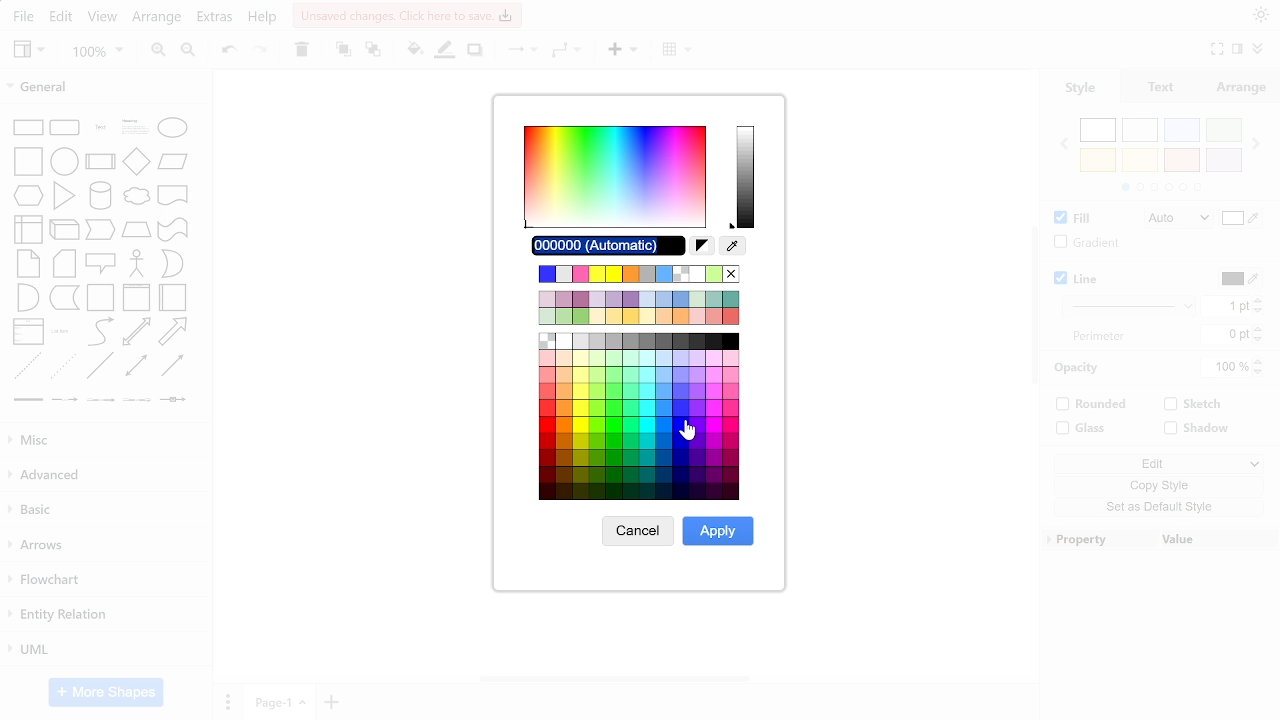  Describe the element at coordinates (568, 52) in the screenshot. I see `waypoints` at that location.